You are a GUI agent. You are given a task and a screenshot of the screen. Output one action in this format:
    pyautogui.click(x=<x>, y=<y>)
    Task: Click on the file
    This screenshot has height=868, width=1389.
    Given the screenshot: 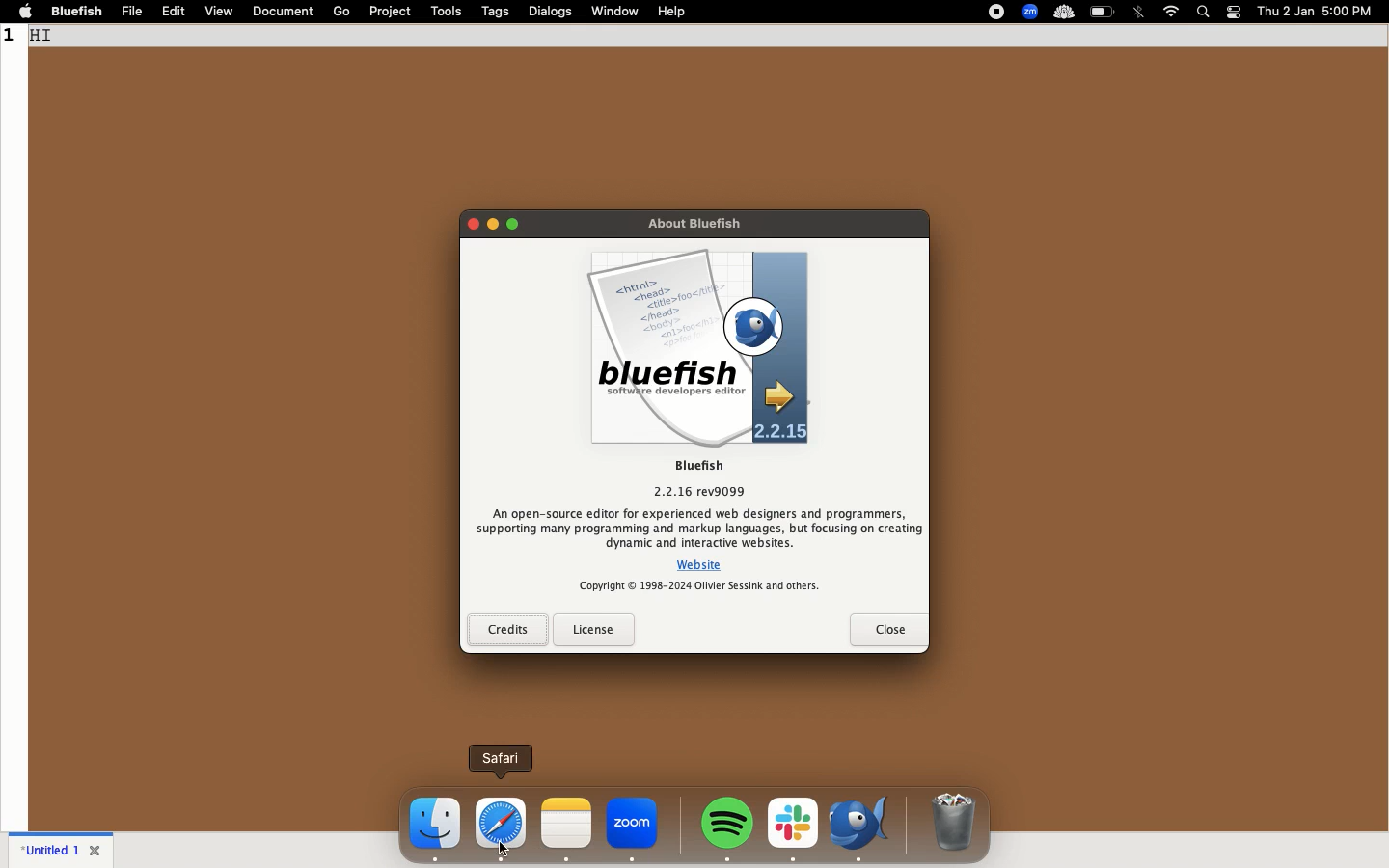 What is the action you would take?
    pyautogui.click(x=134, y=12)
    